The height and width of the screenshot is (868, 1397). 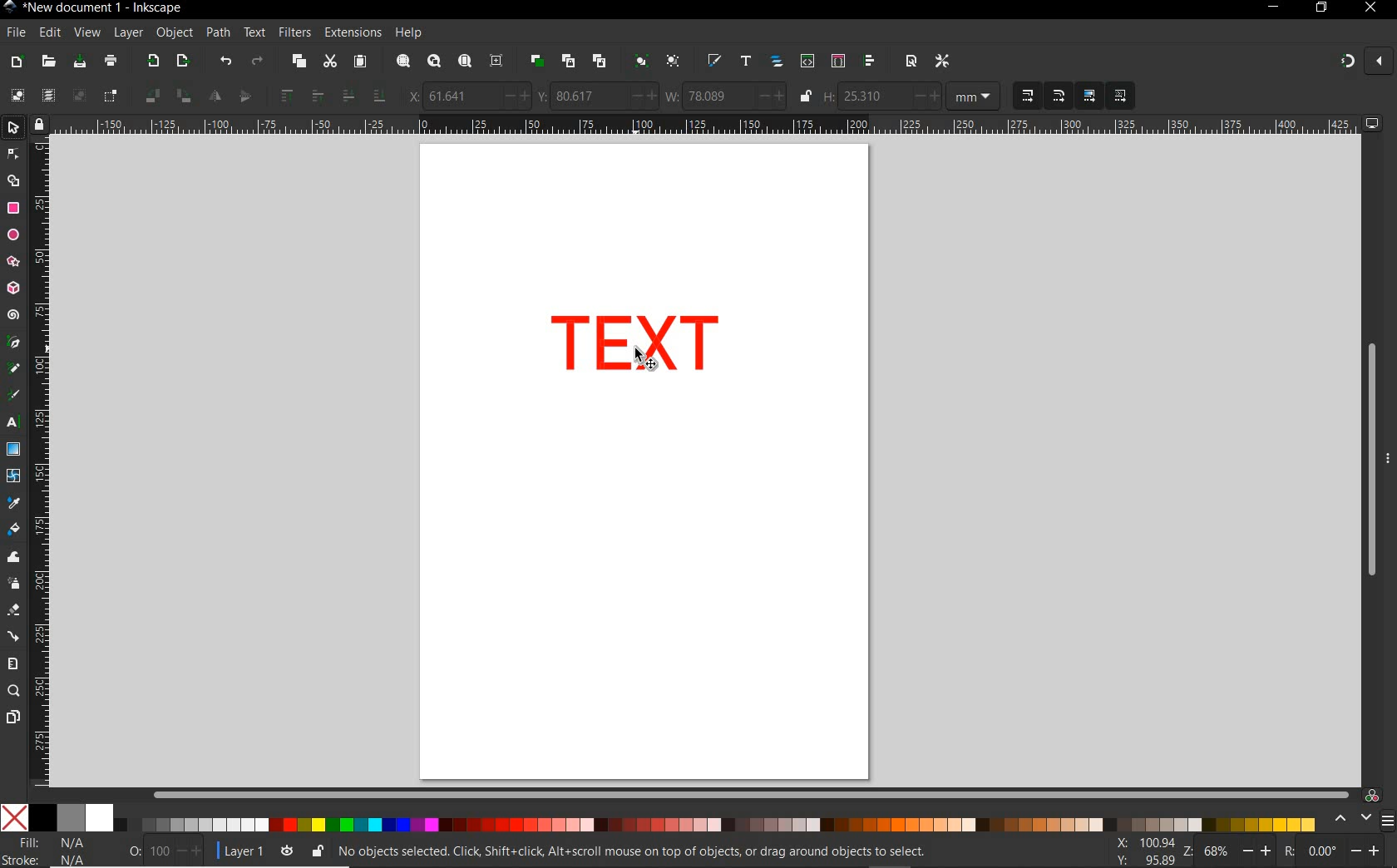 I want to click on cut, so click(x=329, y=62).